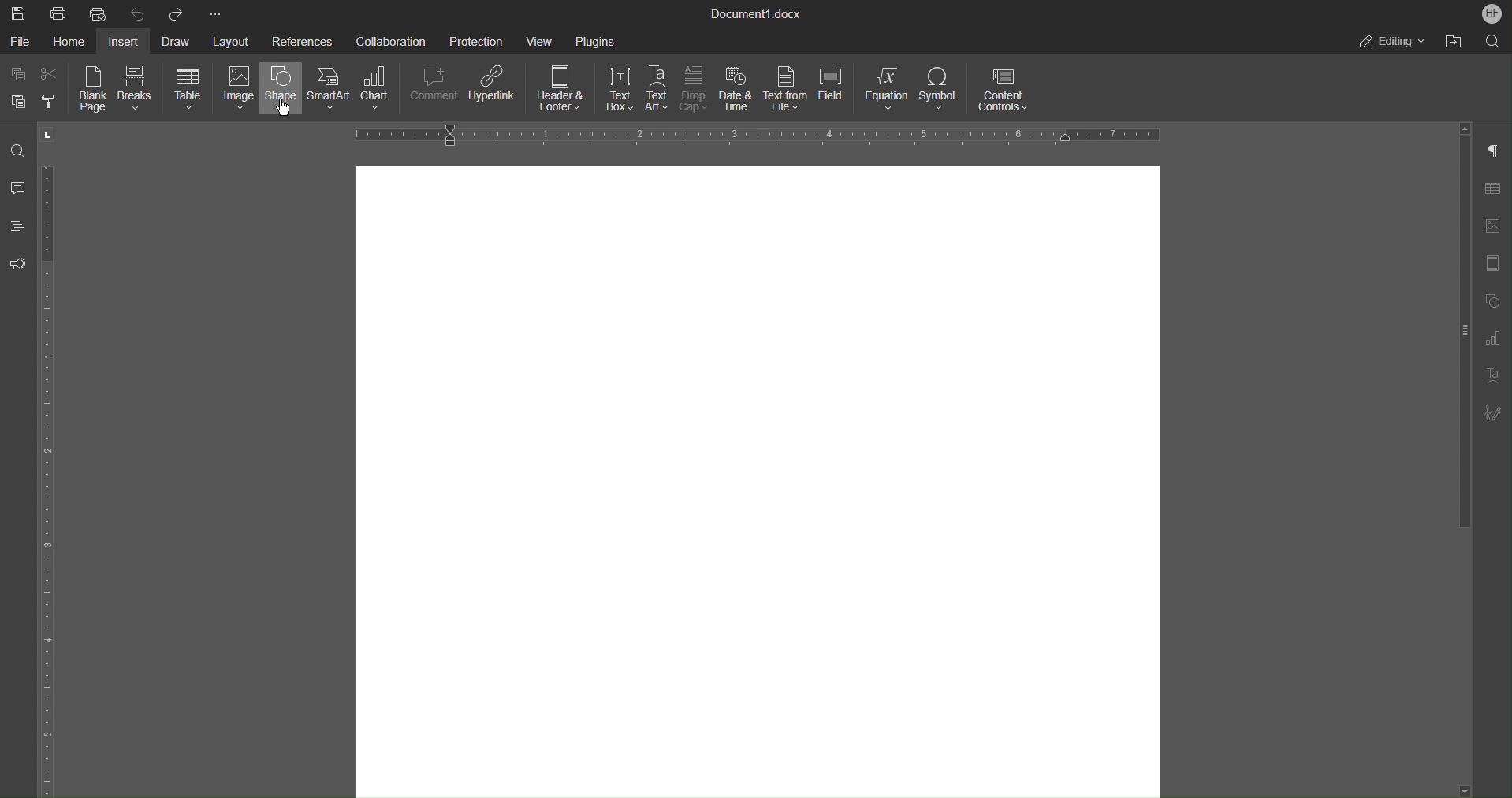  Describe the element at coordinates (752, 136) in the screenshot. I see `Horizonatl Ruler` at that location.